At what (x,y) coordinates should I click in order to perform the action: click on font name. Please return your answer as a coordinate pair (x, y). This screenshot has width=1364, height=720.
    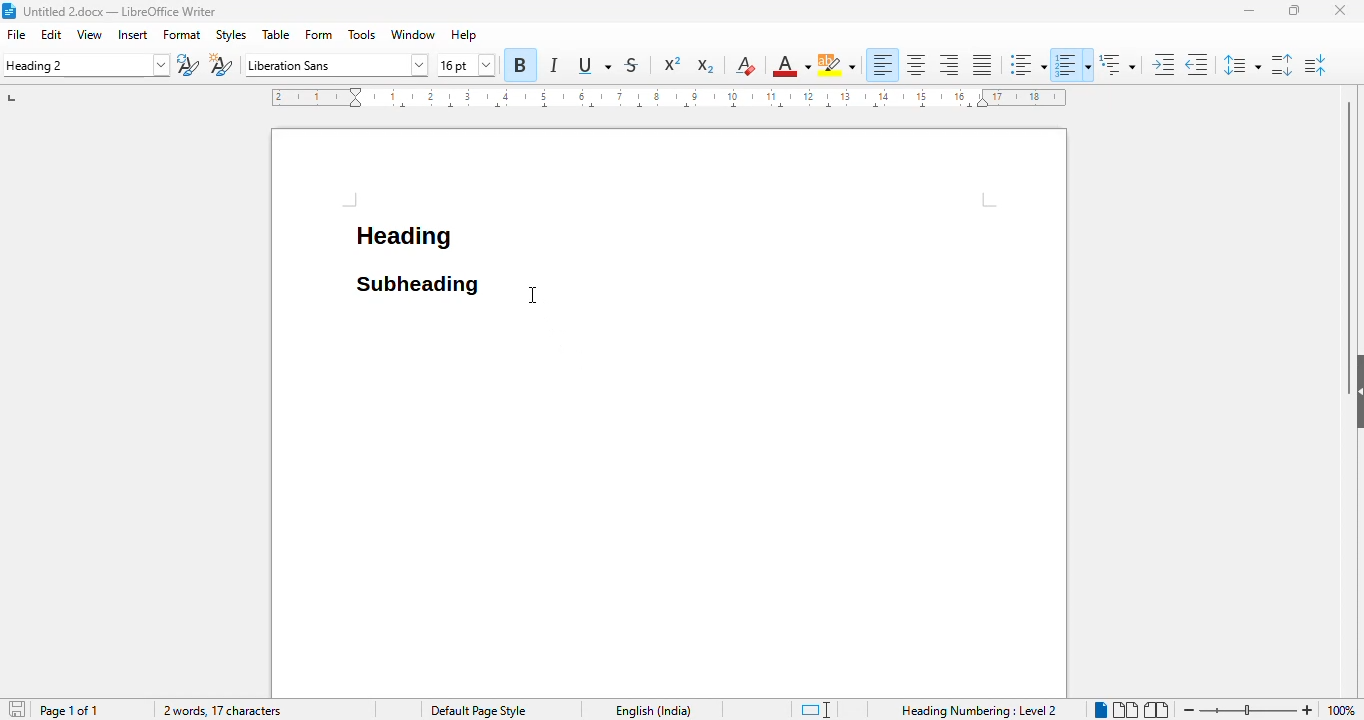
    Looking at the image, I should click on (334, 64).